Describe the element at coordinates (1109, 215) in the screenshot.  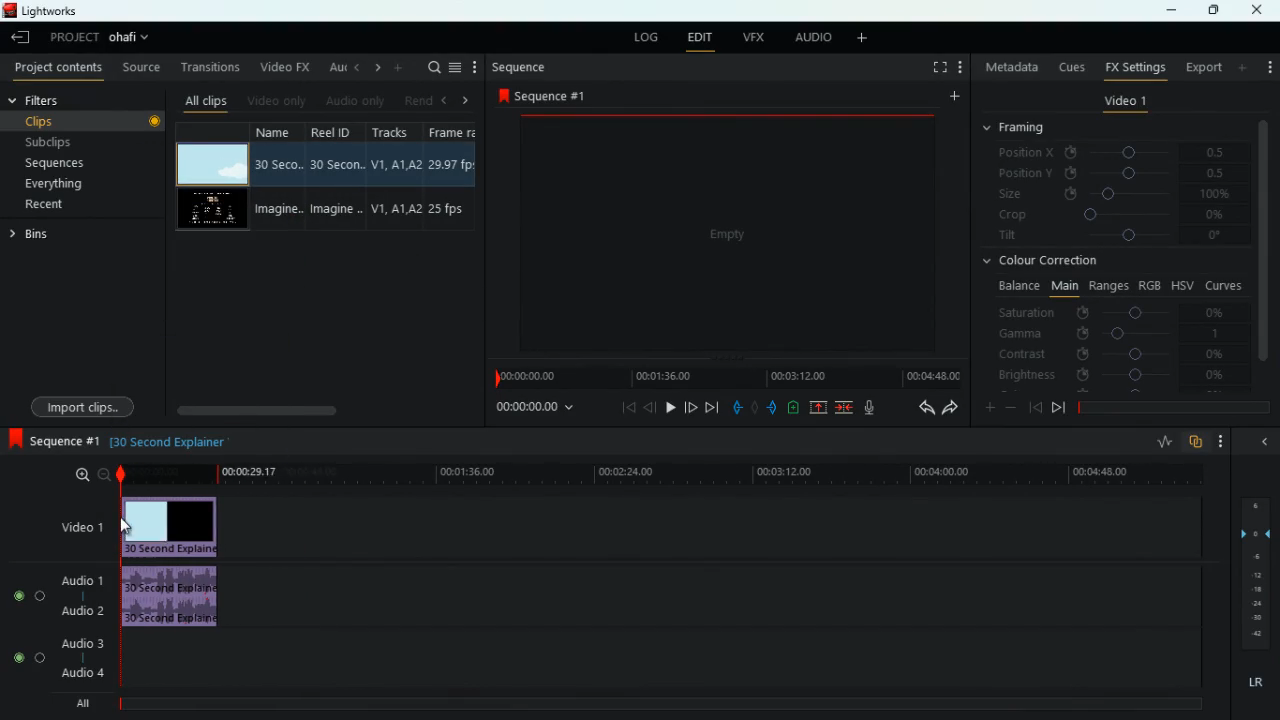
I see `crop` at that location.